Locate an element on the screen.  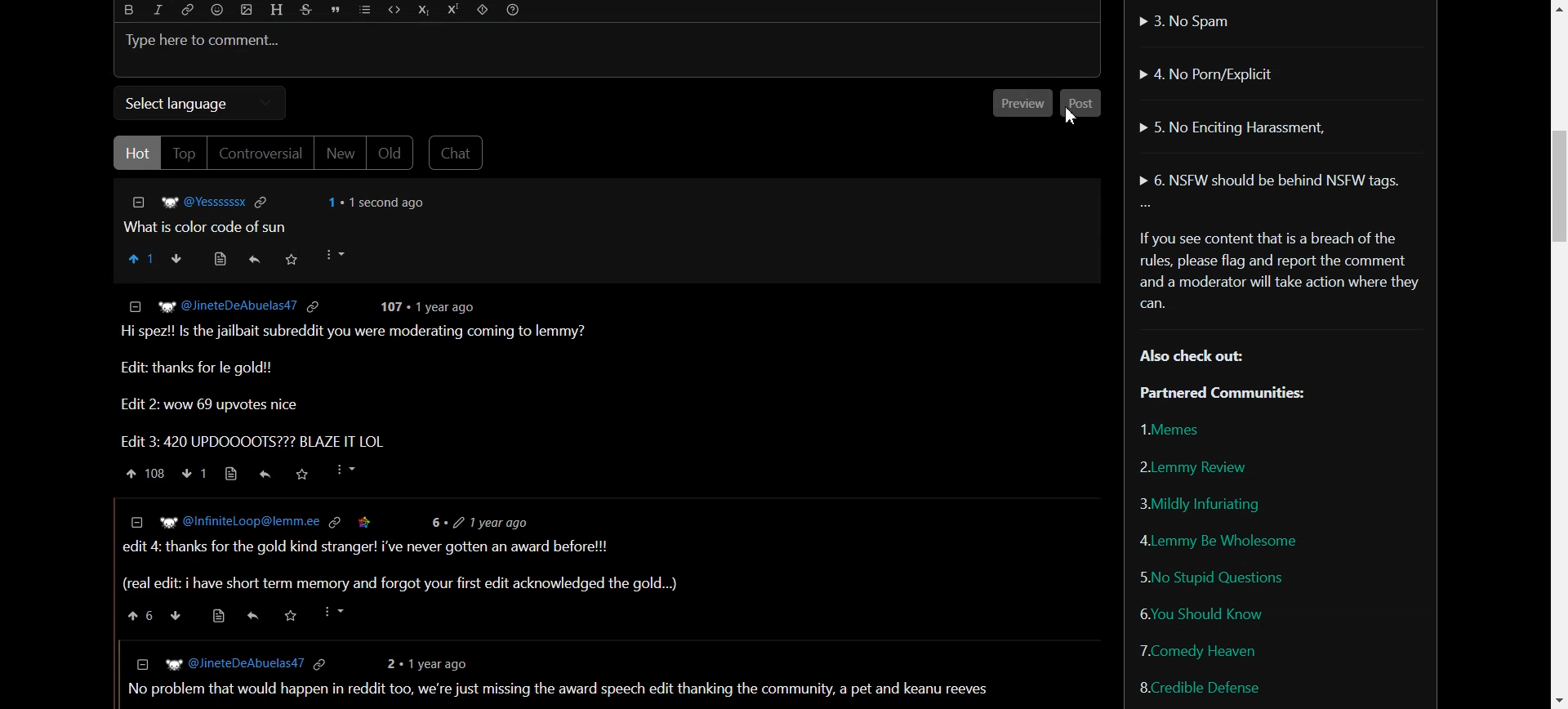
Code is located at coordinates (394, 11).